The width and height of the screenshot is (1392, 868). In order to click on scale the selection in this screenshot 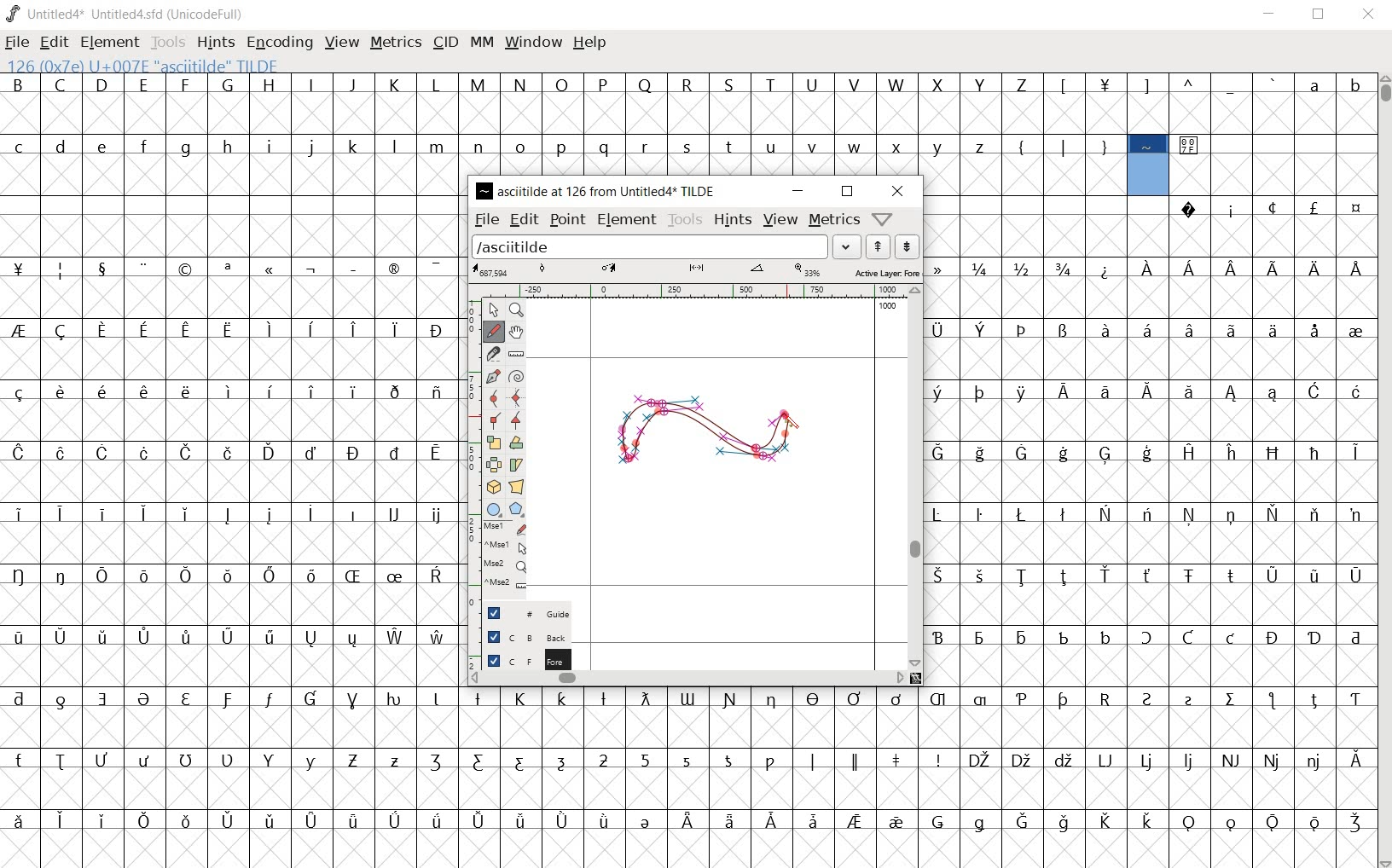, I will do `click(494, 443)`.